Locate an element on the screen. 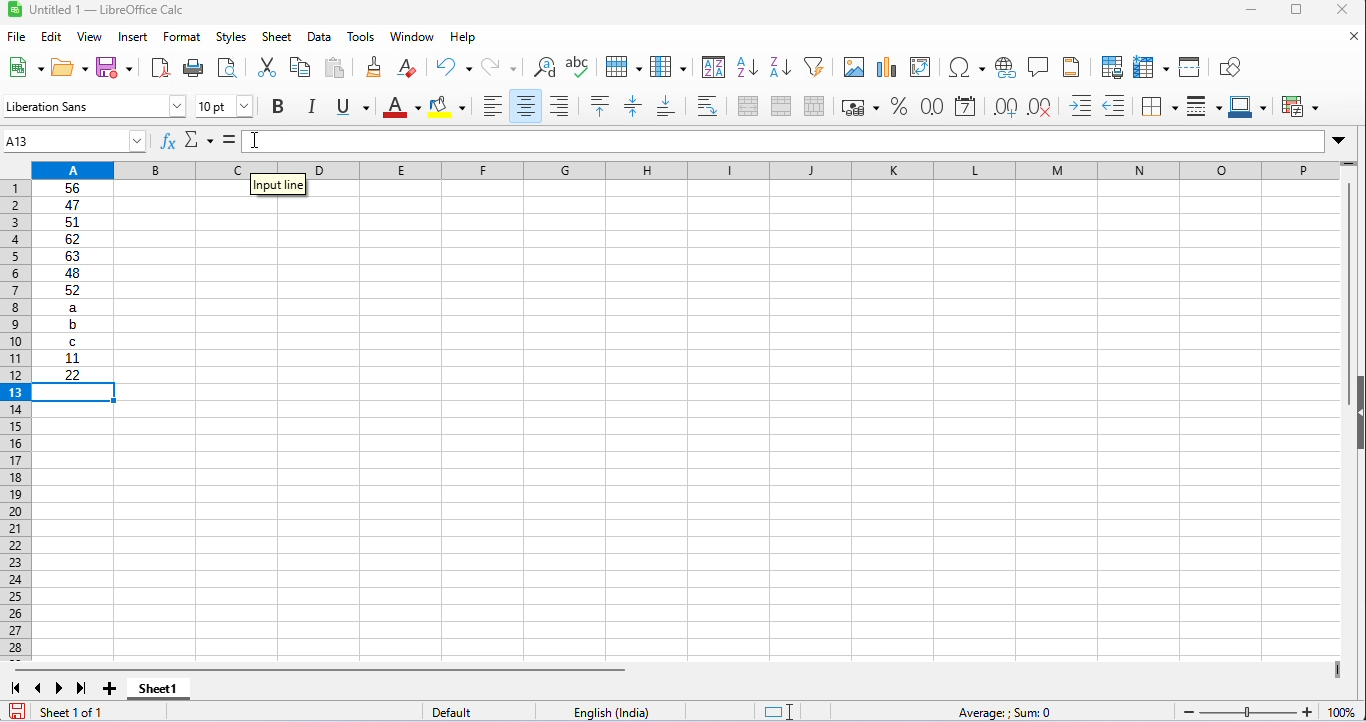 The height and width of the screenshot is (722, 1366). format as number is located at coordinates (931, 106).